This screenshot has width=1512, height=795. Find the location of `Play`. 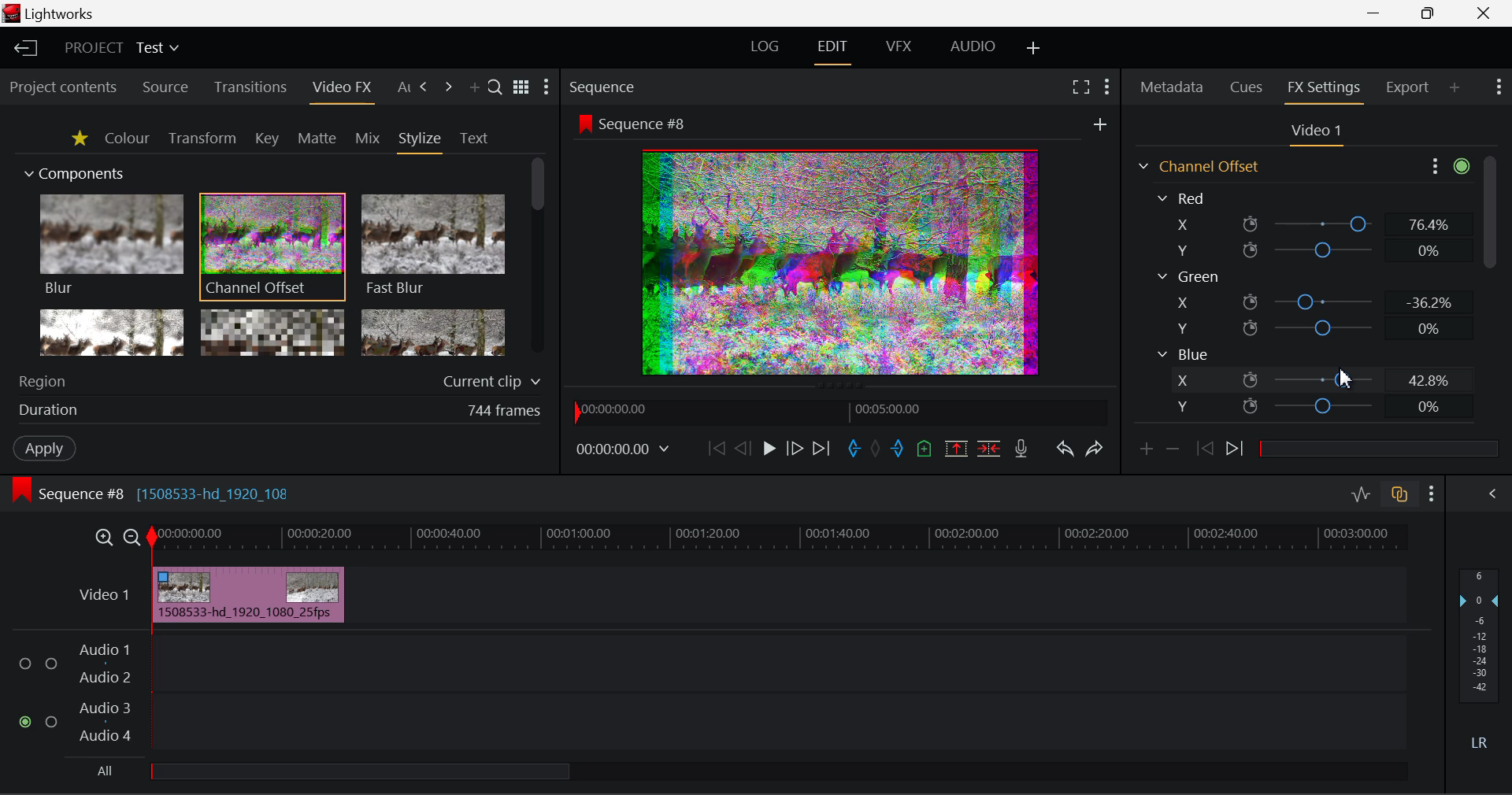

Play is located at coordinates (767, 449).